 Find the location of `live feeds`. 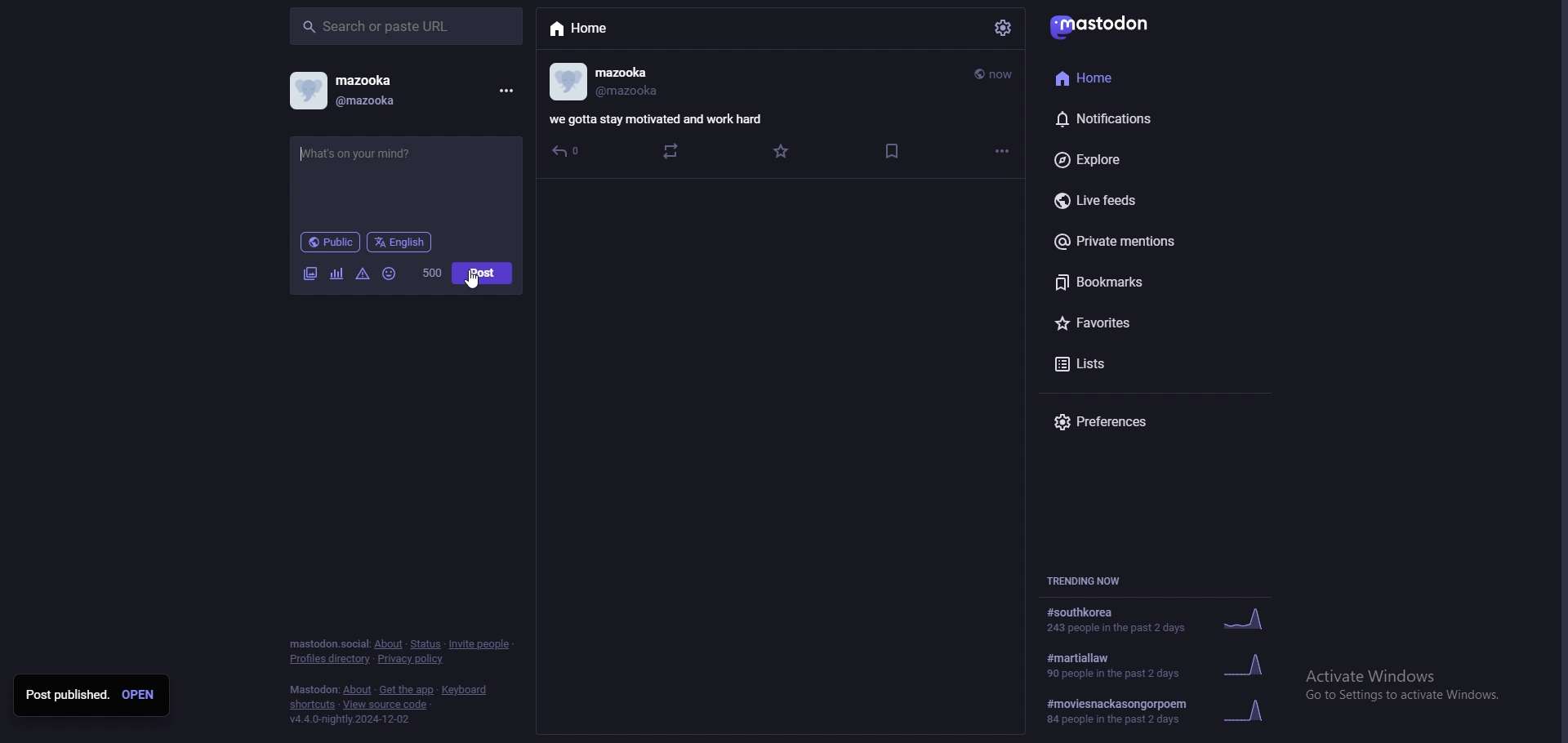

live feeds is located at coordinates (1134, 198).